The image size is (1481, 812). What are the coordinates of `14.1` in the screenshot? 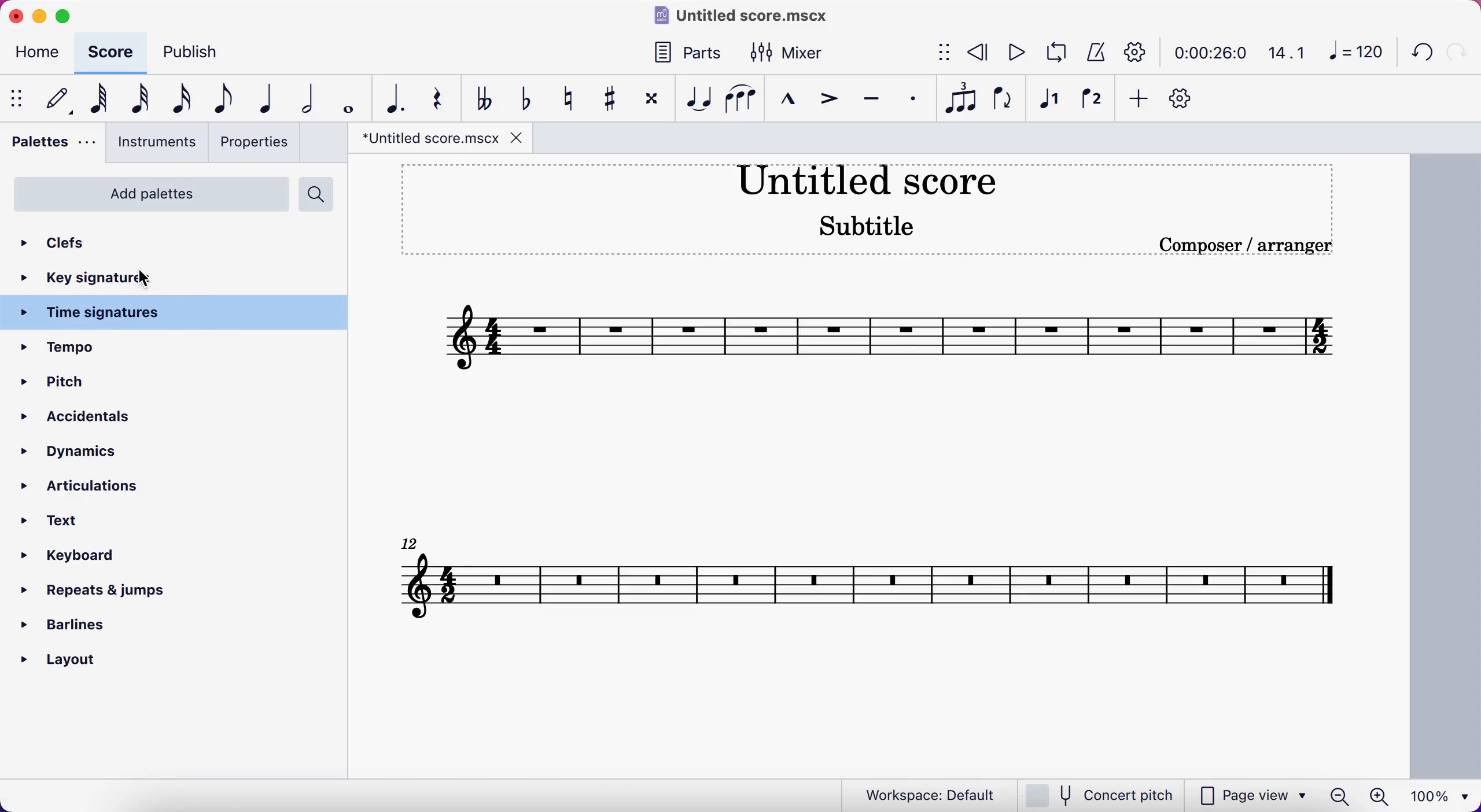 It's located at (1287, 50).